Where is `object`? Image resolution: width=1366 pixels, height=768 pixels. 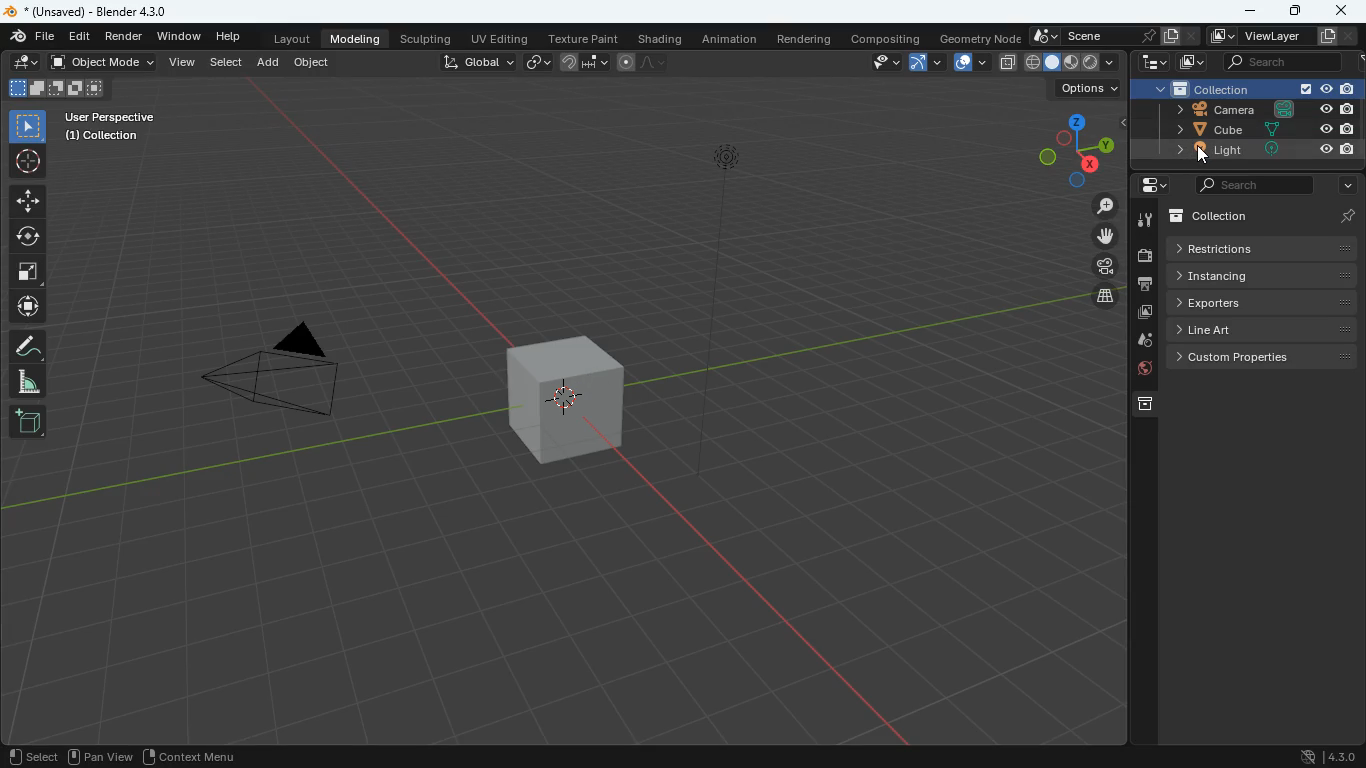
object is located at coordinates (317, 66).